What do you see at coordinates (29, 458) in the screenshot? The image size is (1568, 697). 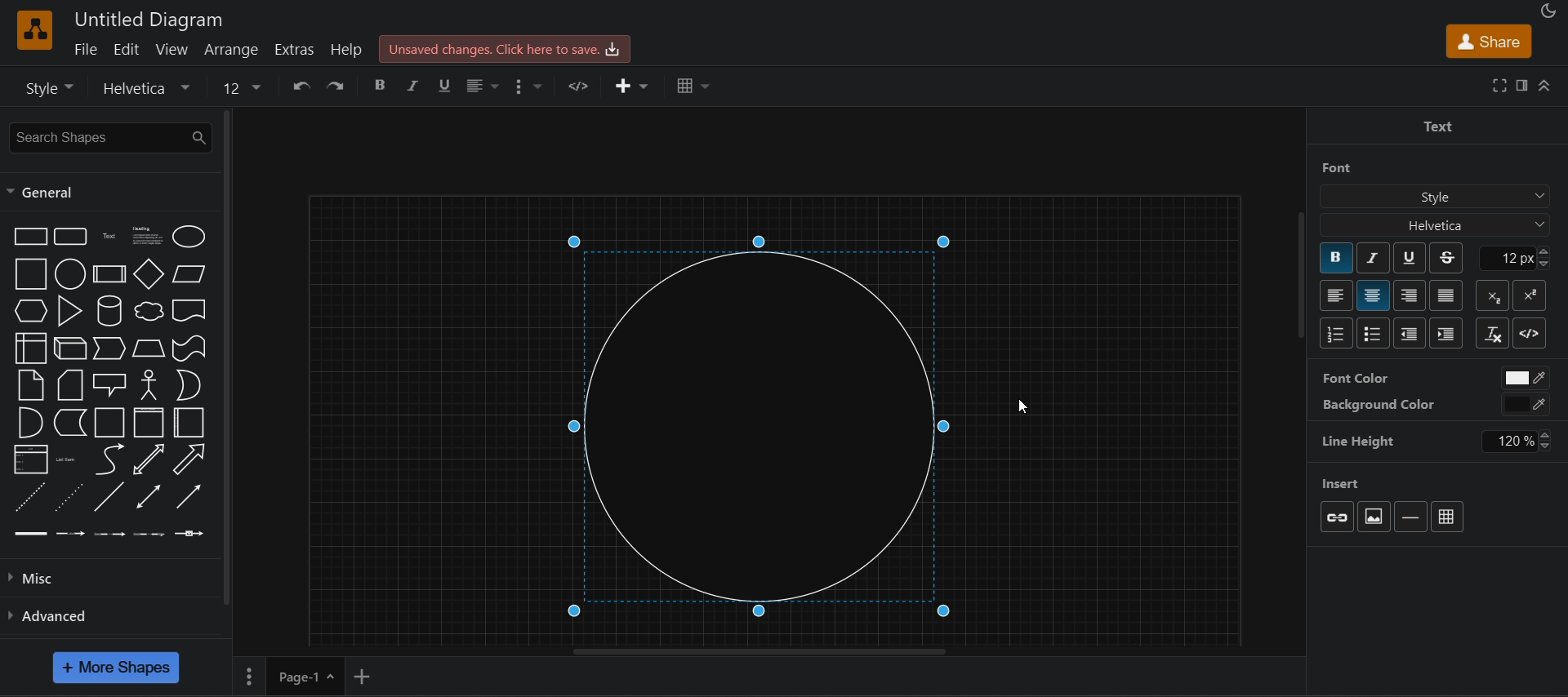 I see `list` at bounding box center [29, 458].